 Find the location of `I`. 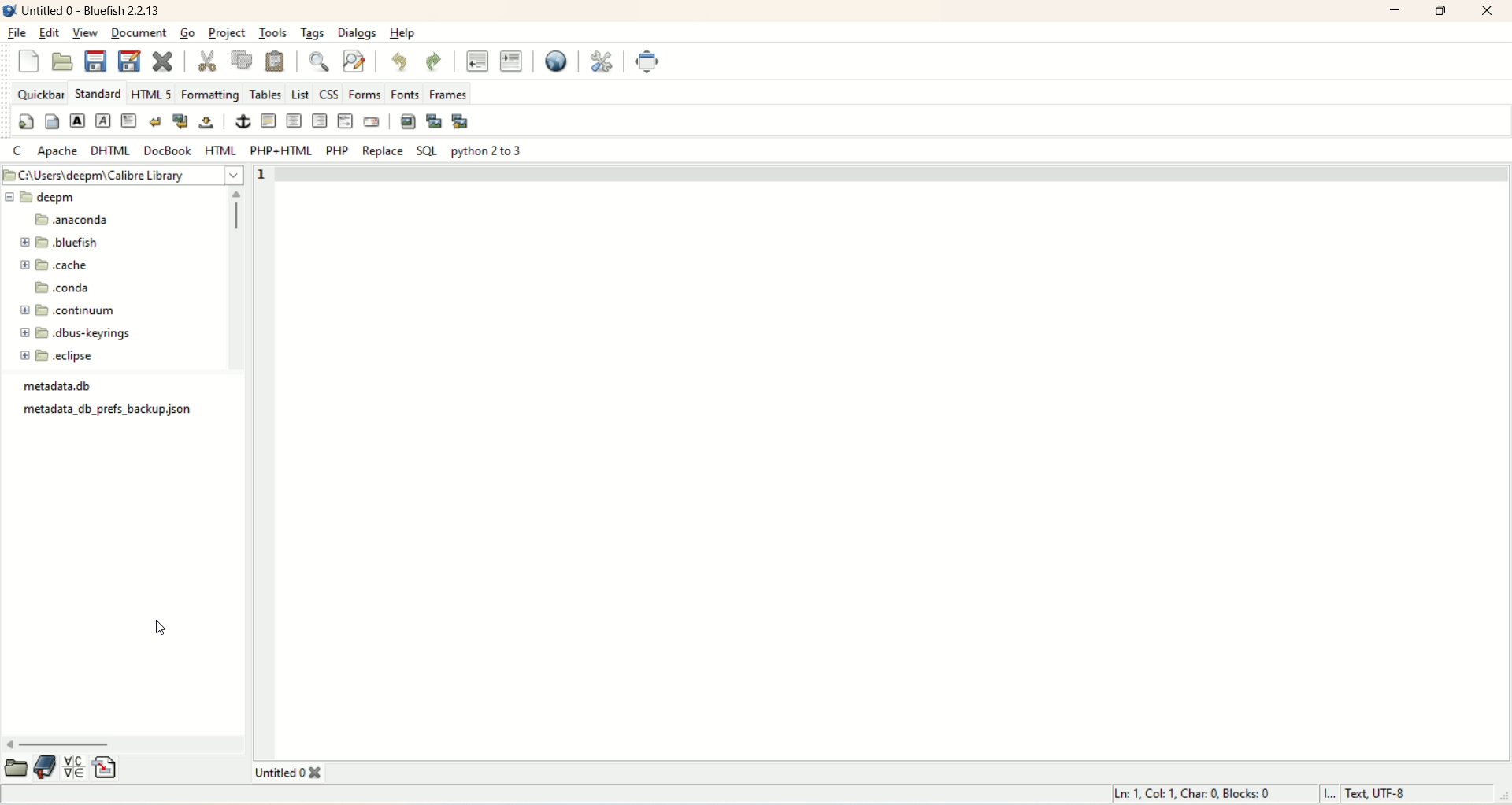

I is located at coordinates (1334, 796).